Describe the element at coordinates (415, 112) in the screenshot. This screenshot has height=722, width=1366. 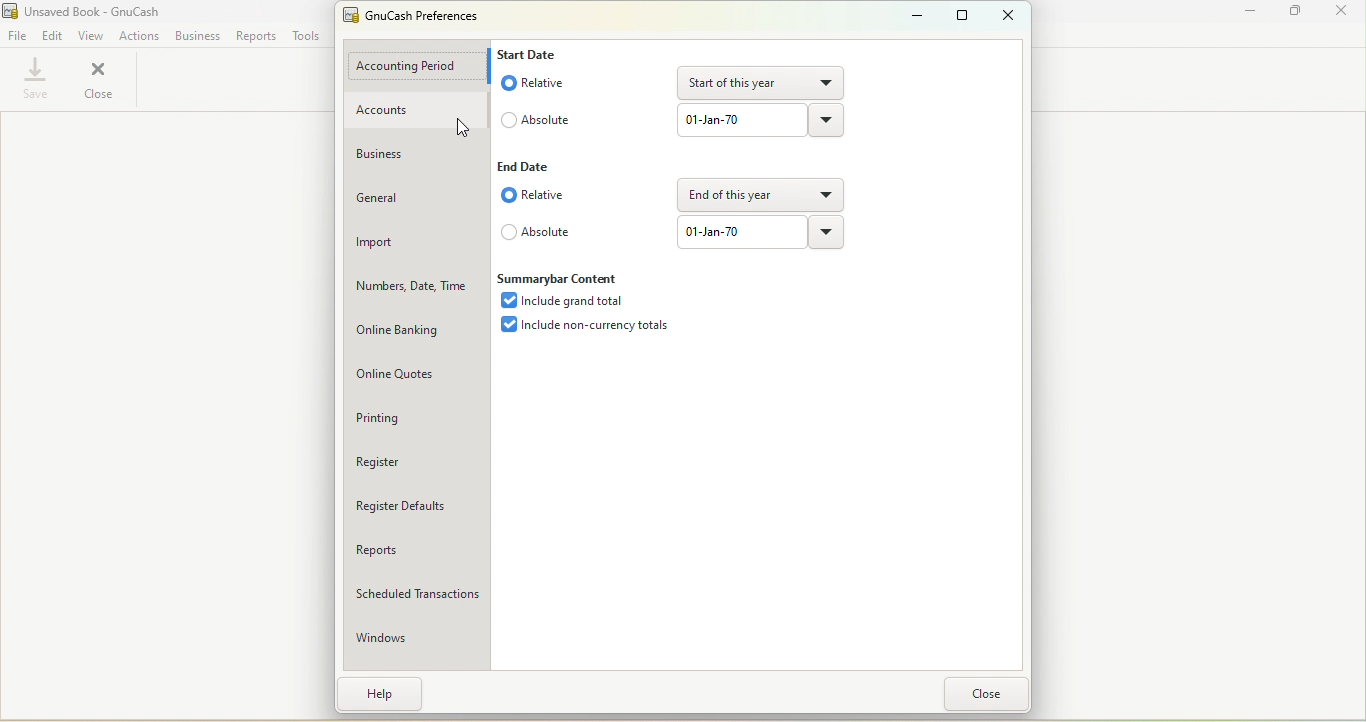
I see `Accounts` at that location.